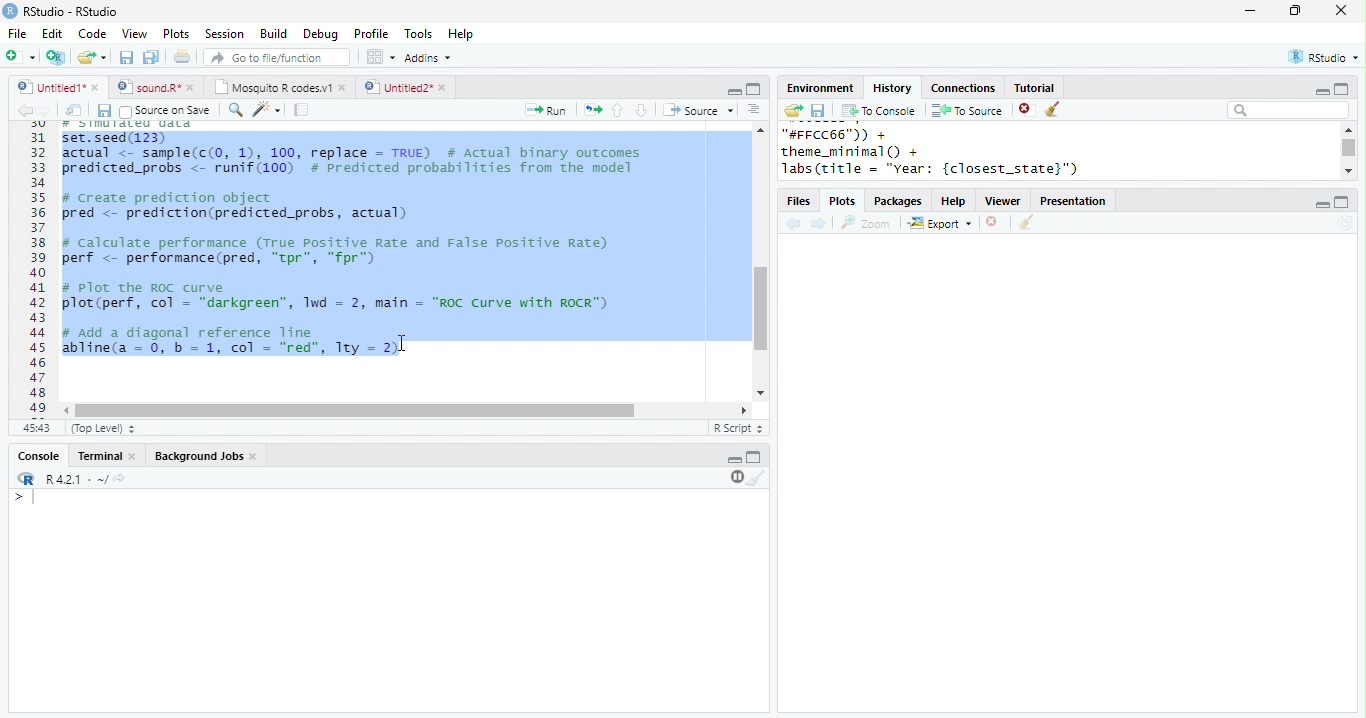  I want to click on close, so click(445, 88).